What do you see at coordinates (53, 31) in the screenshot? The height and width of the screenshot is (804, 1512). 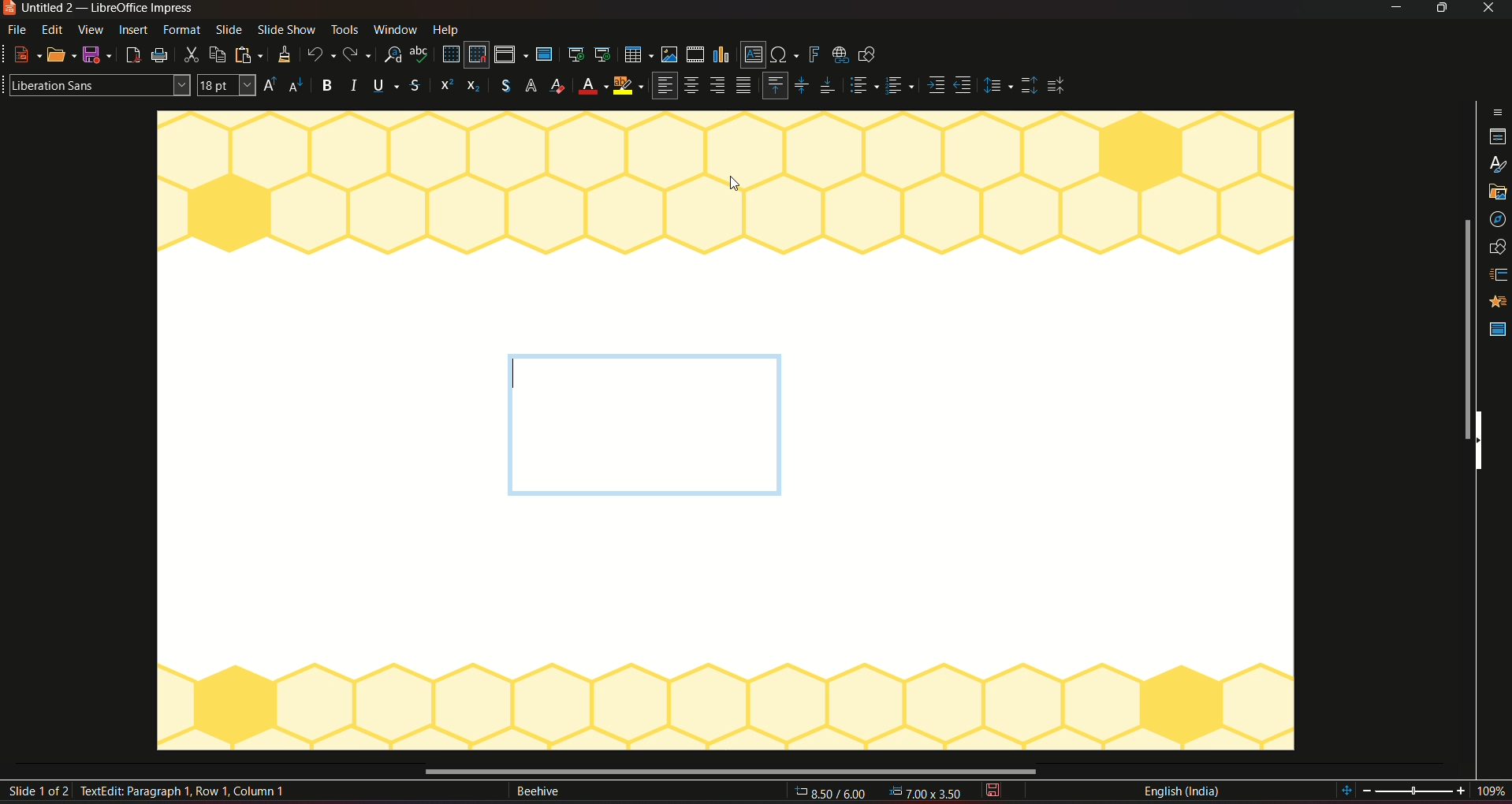 I see `edit` at bounding box center [53, 31].